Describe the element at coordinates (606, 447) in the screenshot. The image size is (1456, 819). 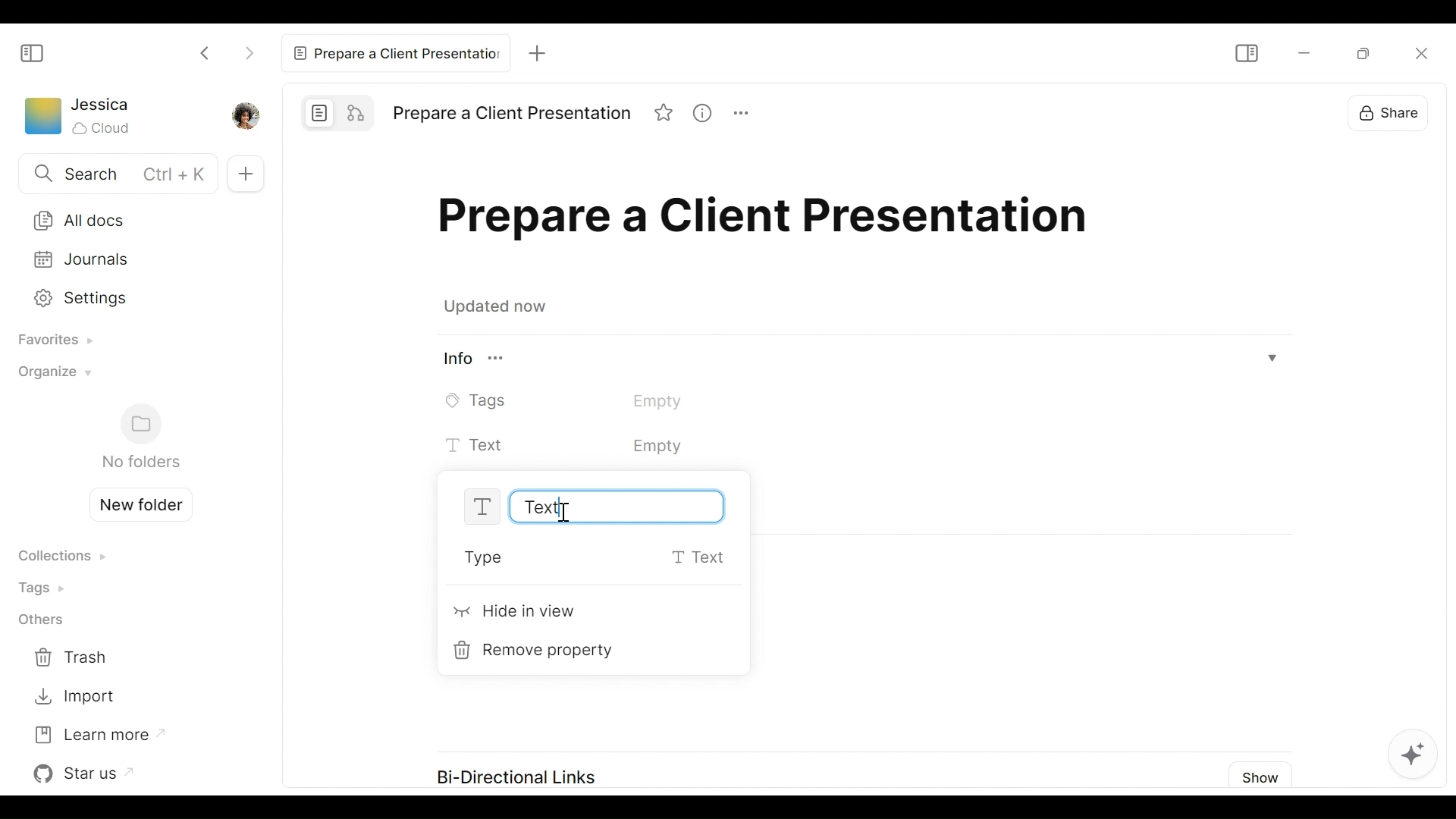
I see `Text` at that location.